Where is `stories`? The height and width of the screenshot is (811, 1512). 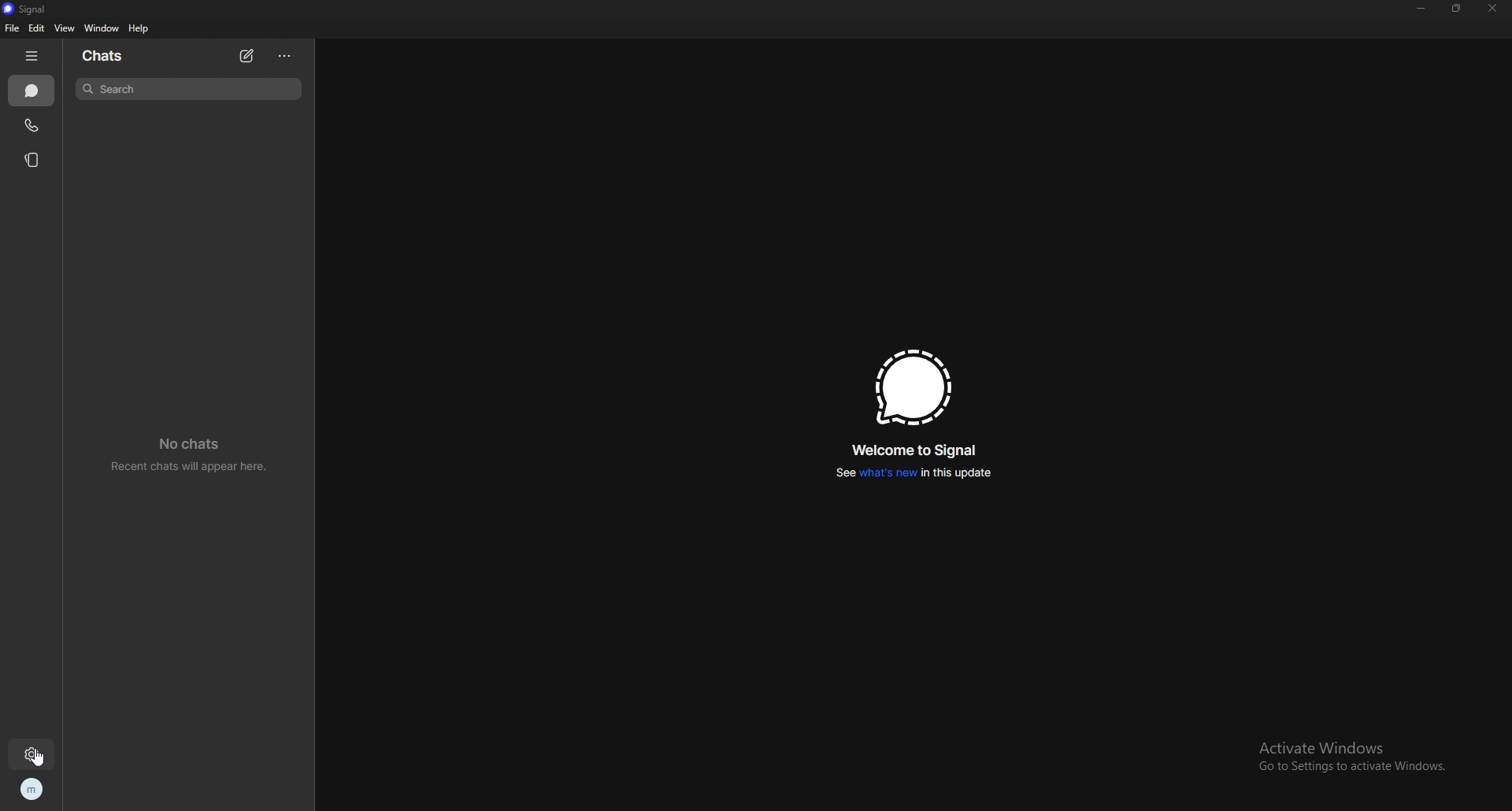 stories is located at coordinates (33, 159).